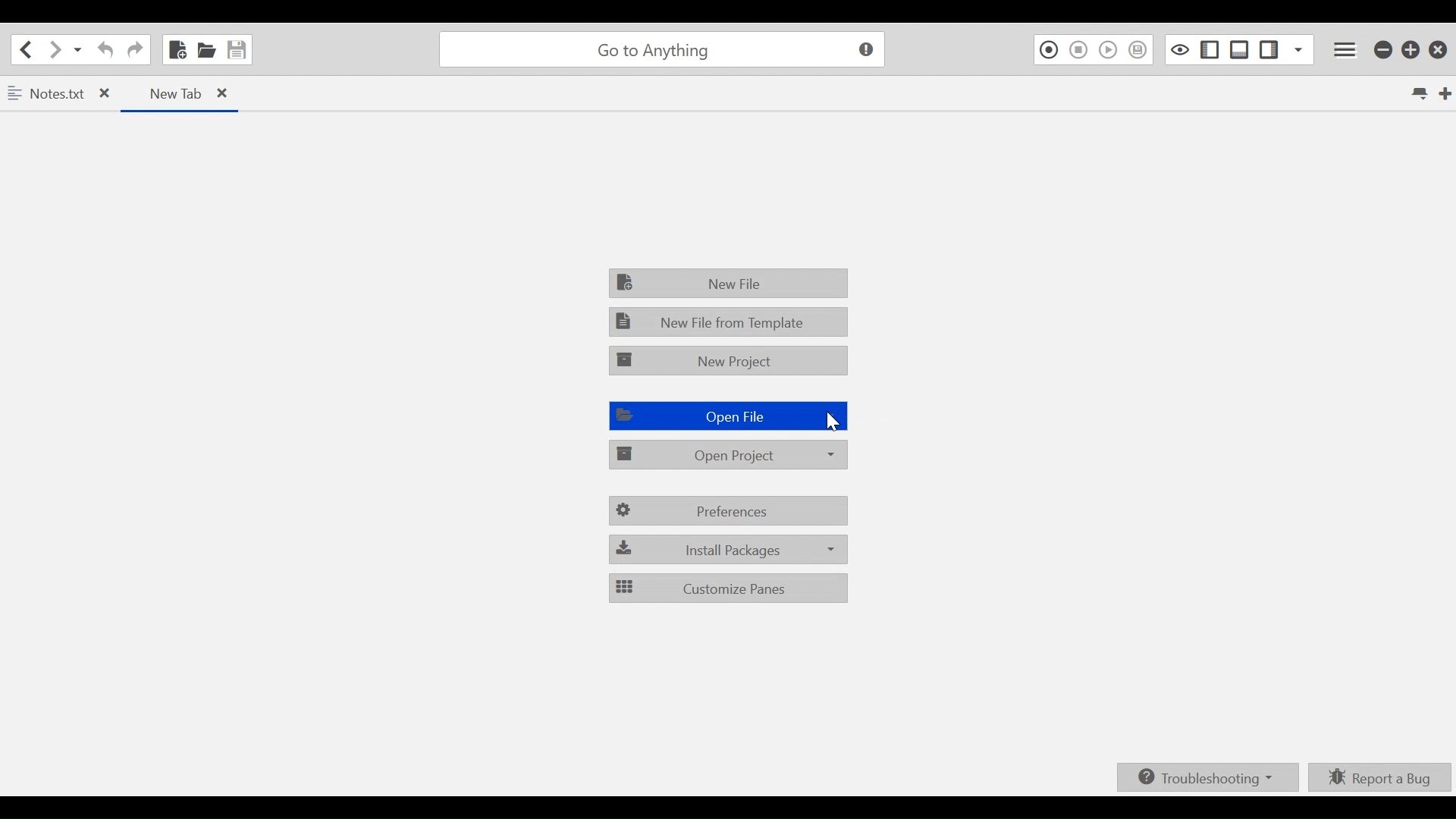  What do you see at coordinates (729, 513) in the screenshot?
I see `Preferences` at bounding box center [729, 513].